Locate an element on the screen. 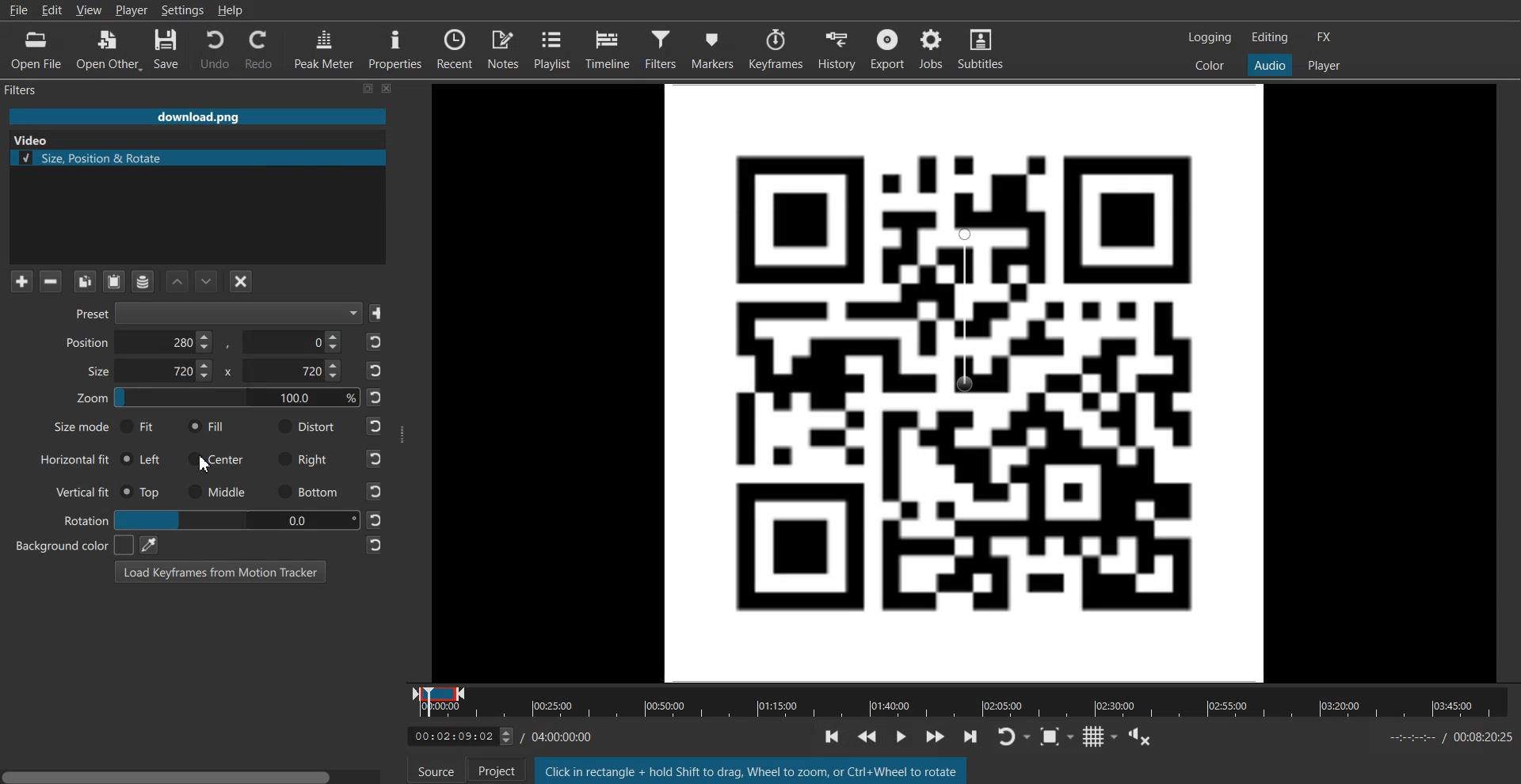 This screenshot has width=1521, height=784. Size, Position & Rotate is located at coordinates (197, 158).